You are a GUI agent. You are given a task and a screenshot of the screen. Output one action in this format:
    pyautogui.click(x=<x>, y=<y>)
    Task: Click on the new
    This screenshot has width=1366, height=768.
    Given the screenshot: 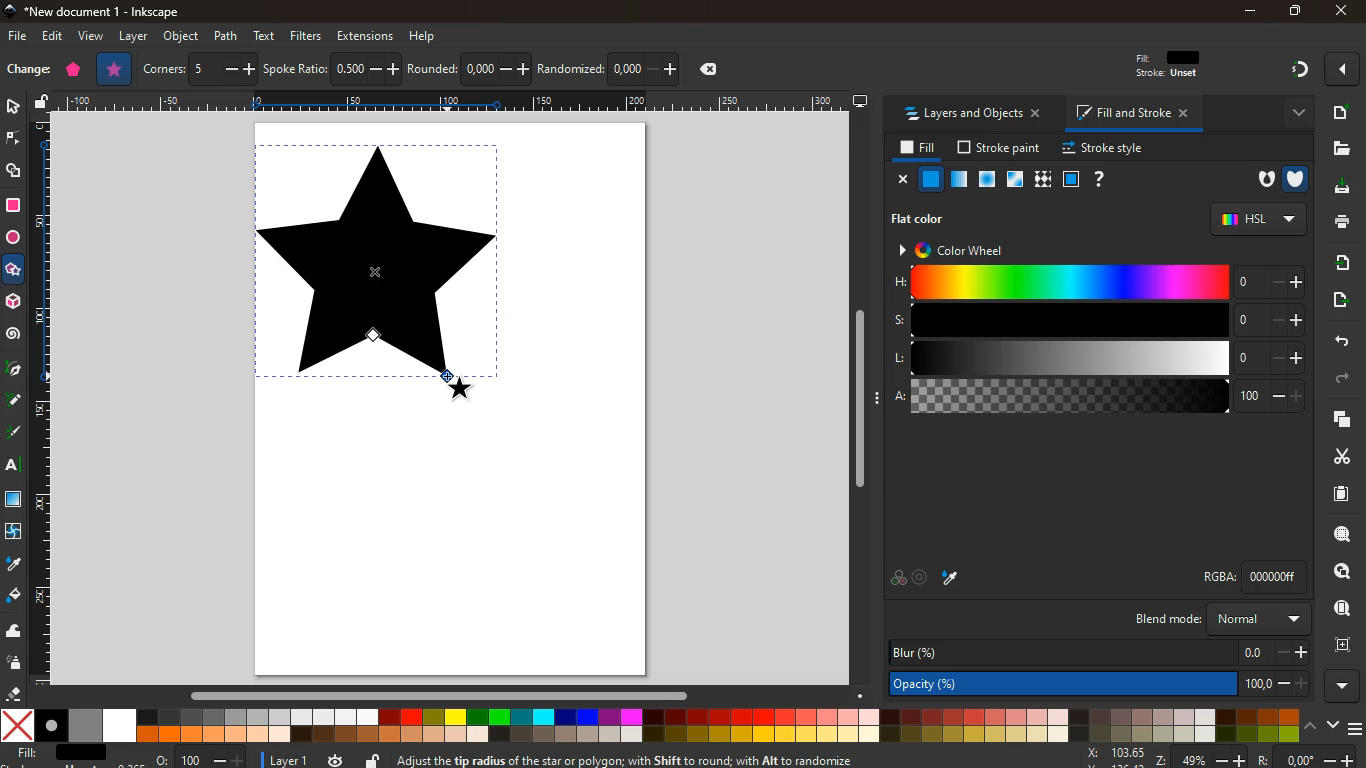 What is the action you would take?
    pyautogui.click(x=1337, y=114)
    